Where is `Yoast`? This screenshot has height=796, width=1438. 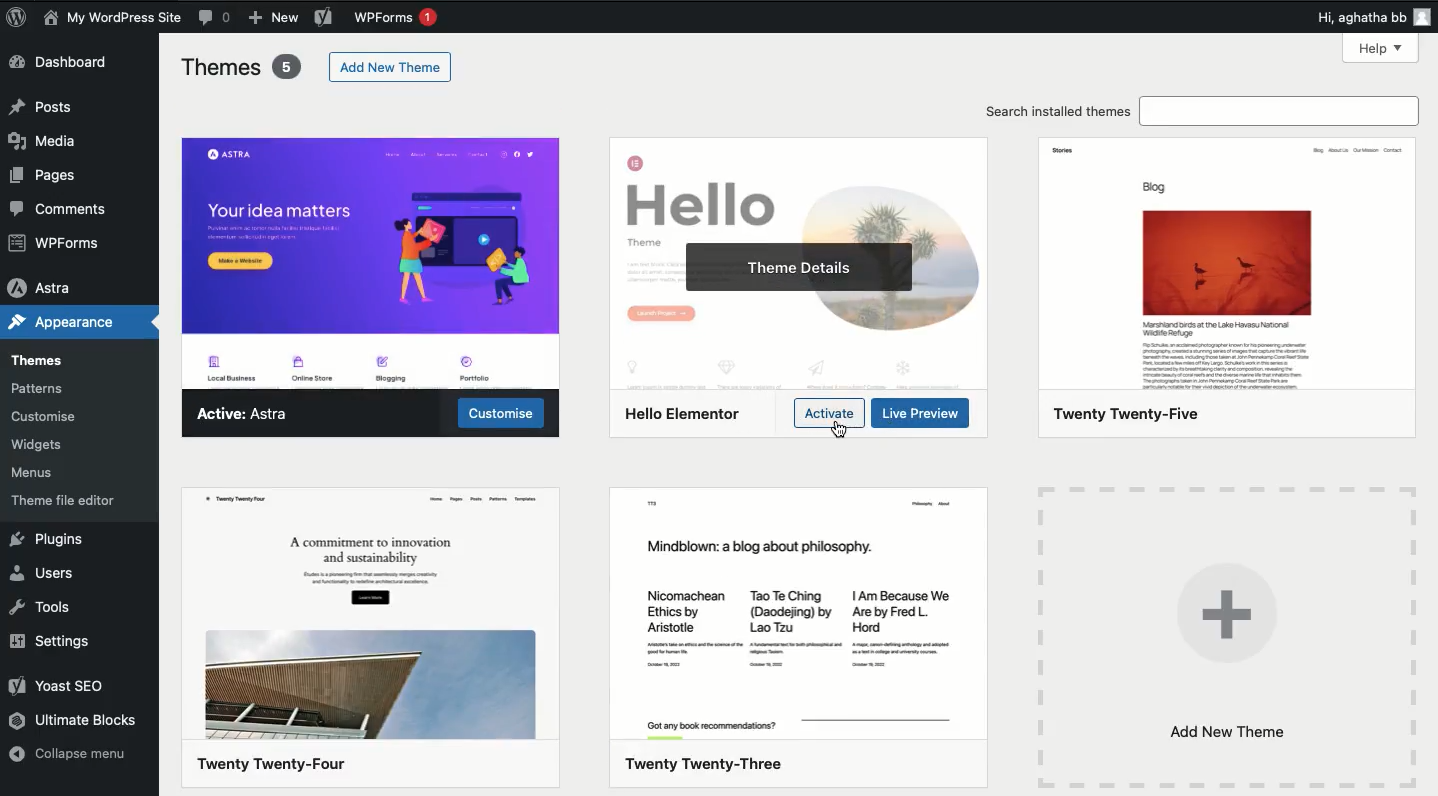 Yoast is located at coordinates (68, 688).